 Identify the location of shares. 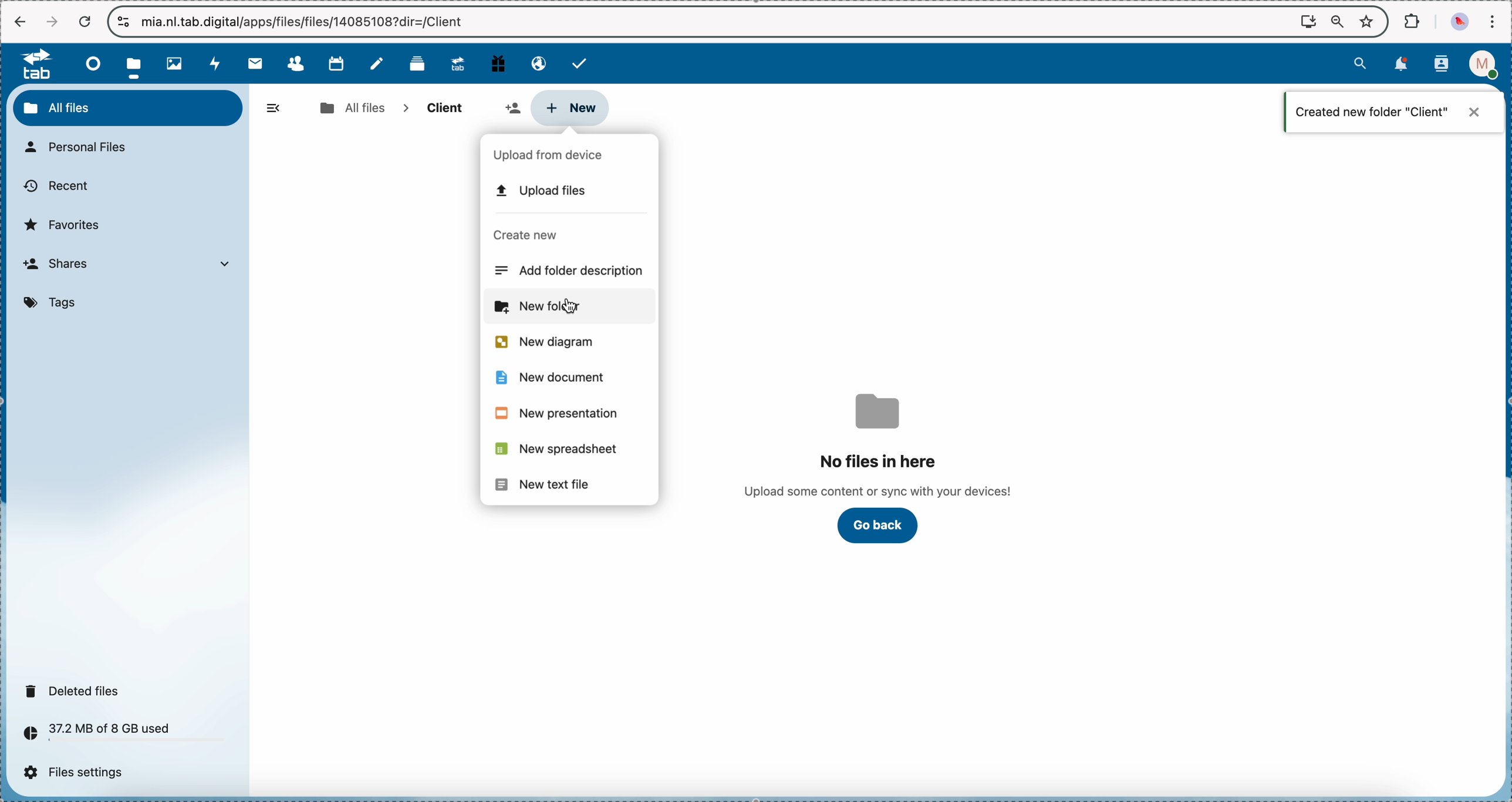
(132, 265).